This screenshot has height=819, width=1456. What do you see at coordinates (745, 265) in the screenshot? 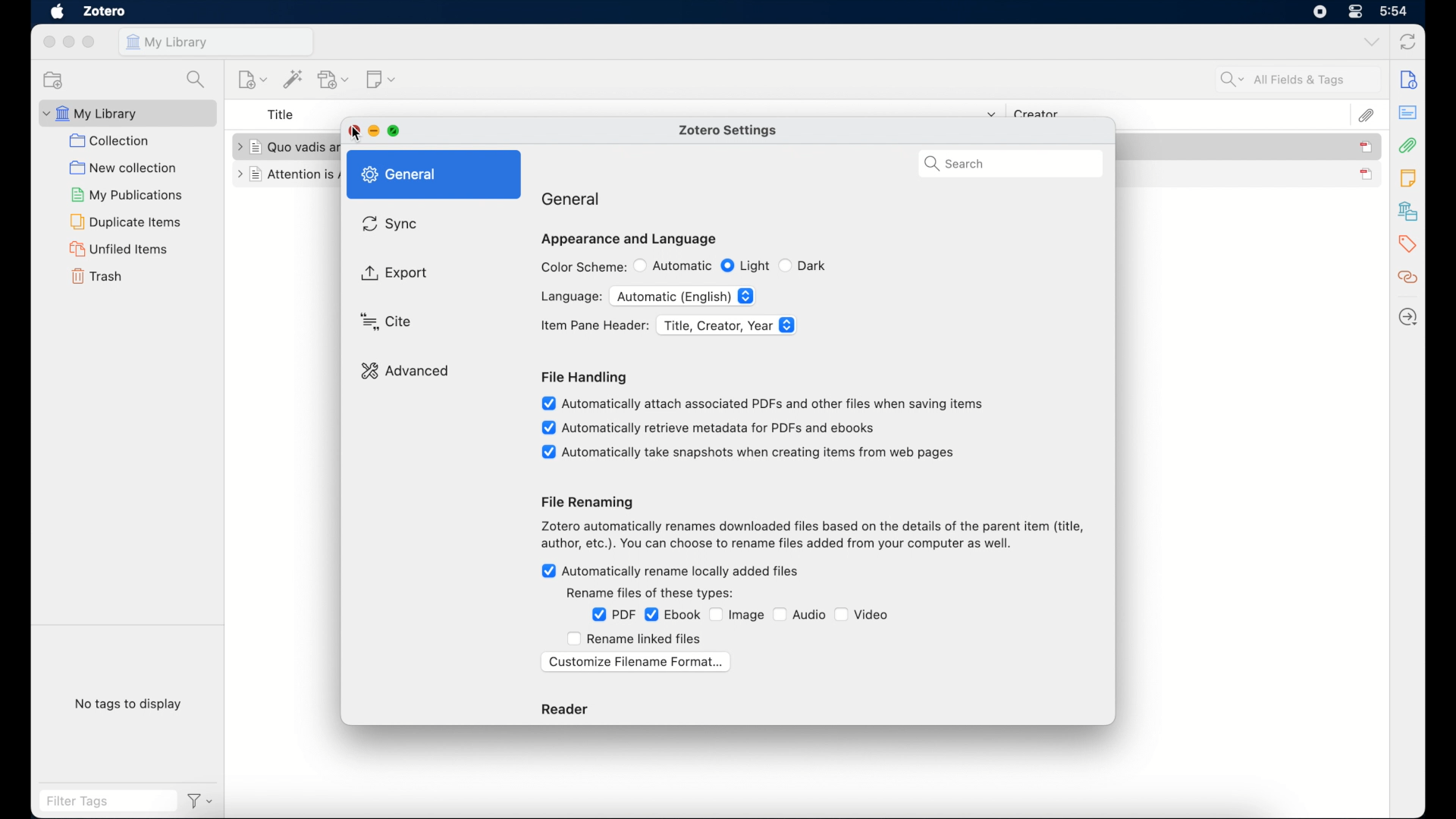
I see `light radio button` at bounding box center [745, 265].